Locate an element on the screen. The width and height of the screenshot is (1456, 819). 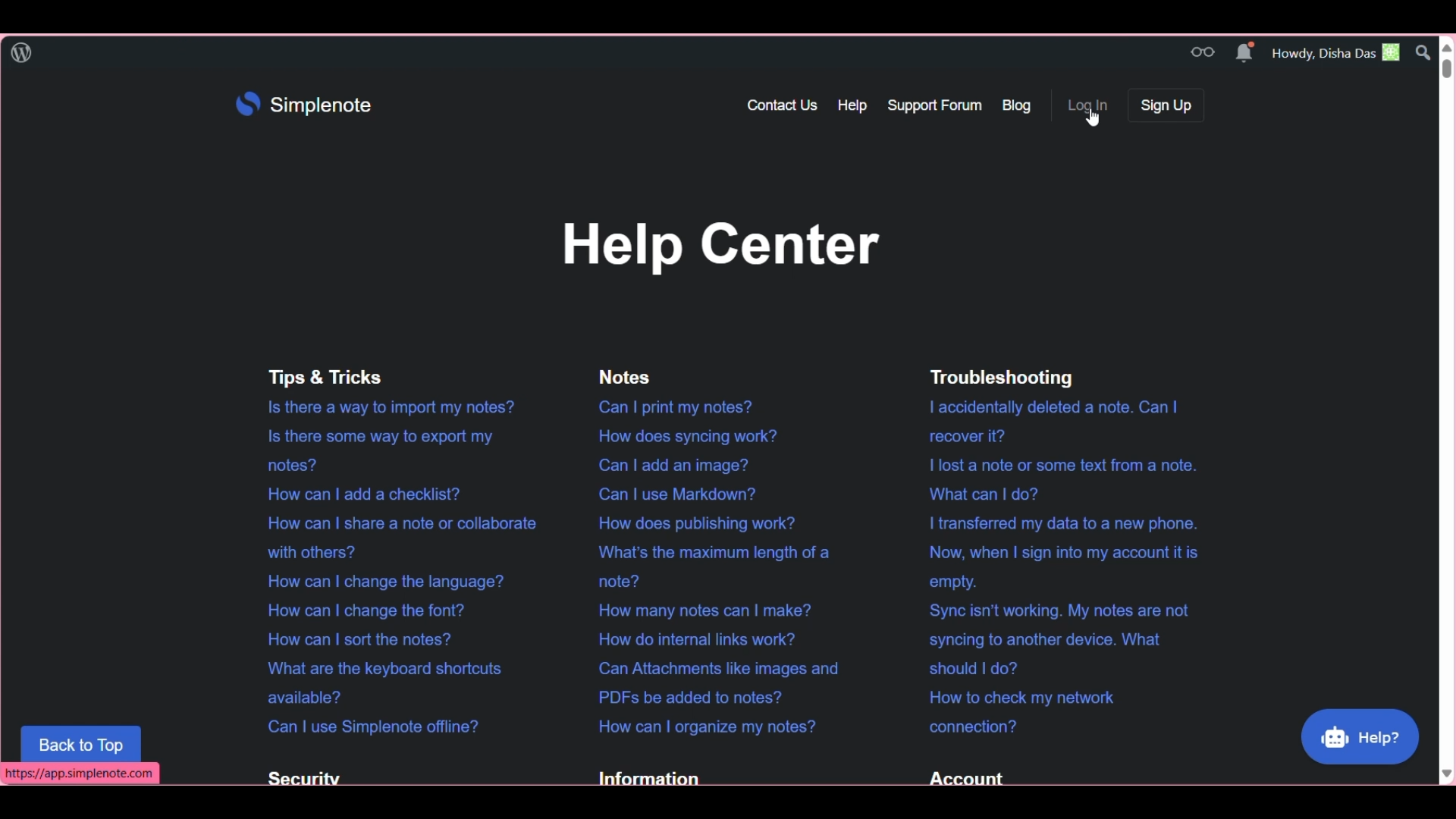
Help center is located at coordinates (717, 247).